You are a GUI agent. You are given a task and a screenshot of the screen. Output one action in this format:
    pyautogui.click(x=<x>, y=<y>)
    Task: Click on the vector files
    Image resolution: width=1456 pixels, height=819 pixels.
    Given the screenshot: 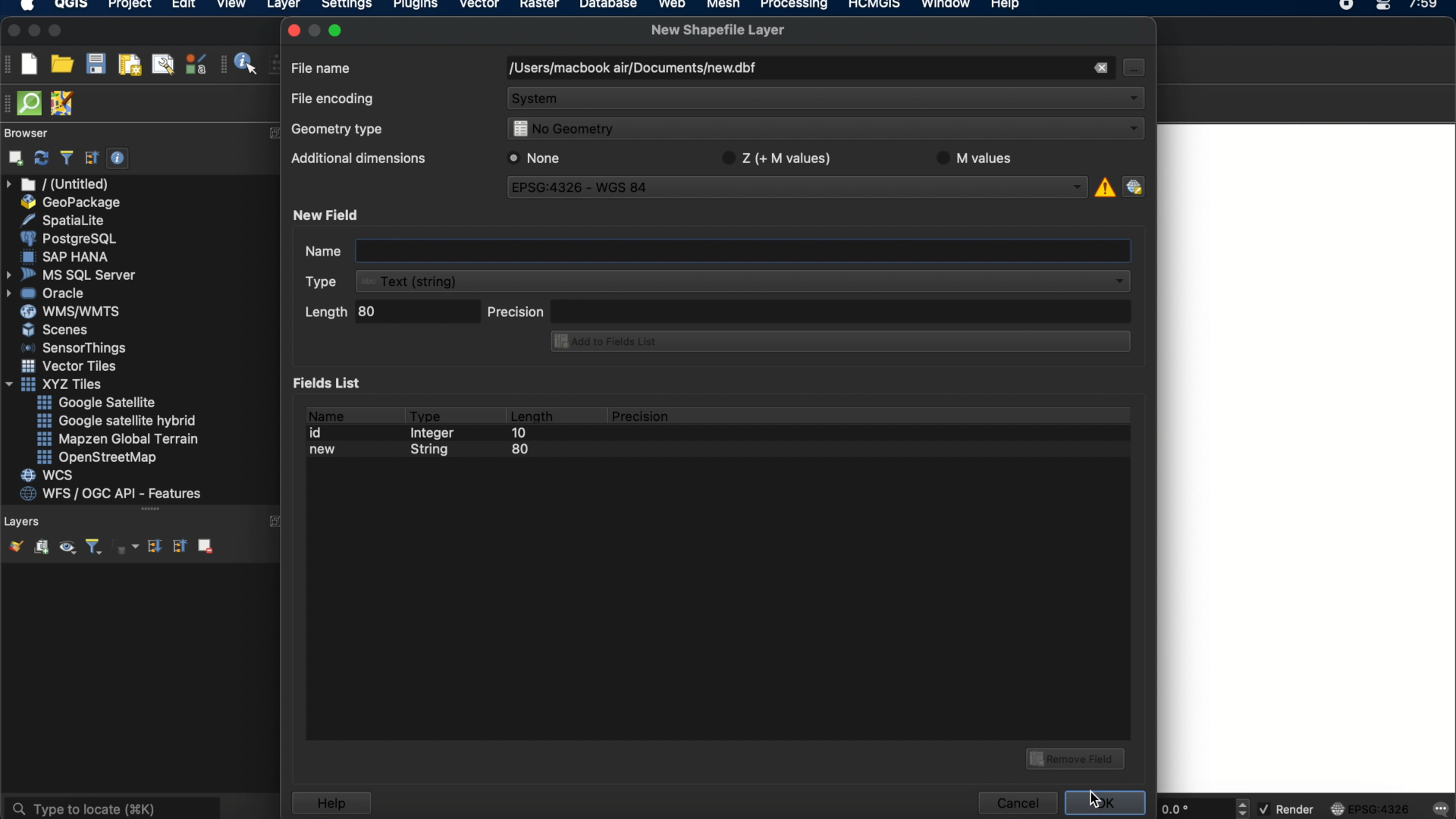 What is the action you would take?
    pyautogui.click(x=71, y=366)
    